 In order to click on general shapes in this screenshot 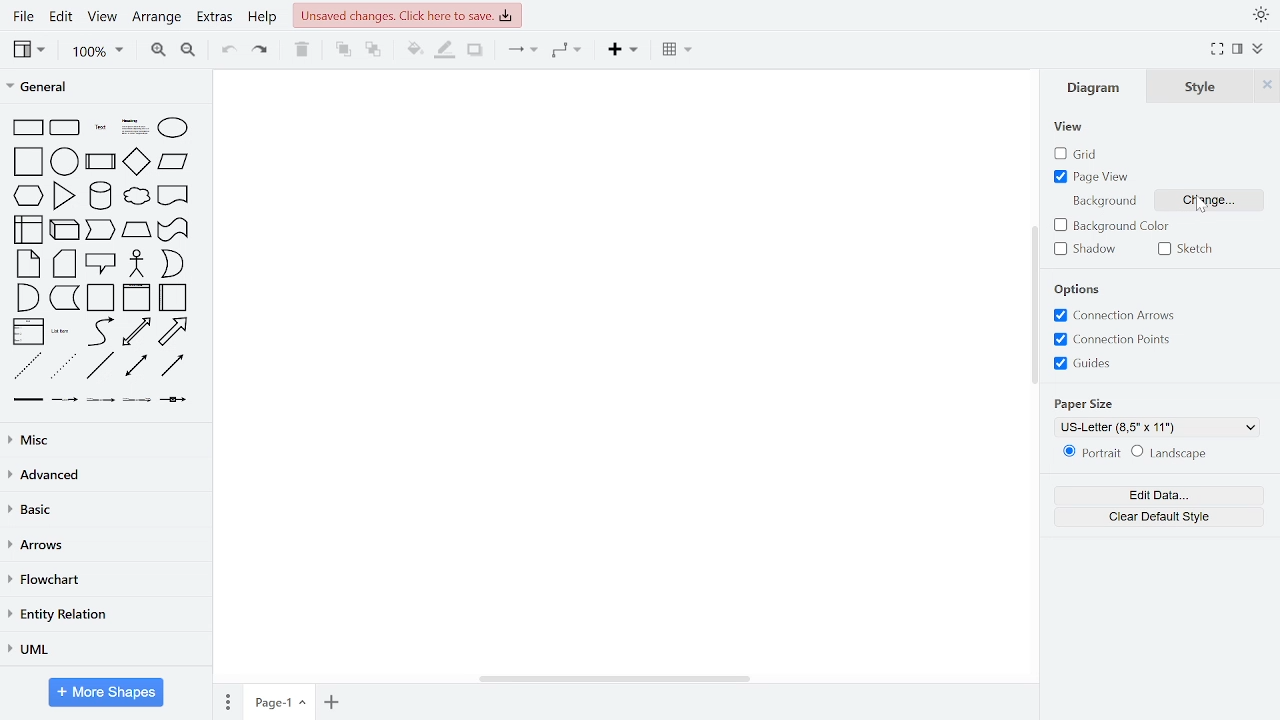, I will do `click(133, 161)`.